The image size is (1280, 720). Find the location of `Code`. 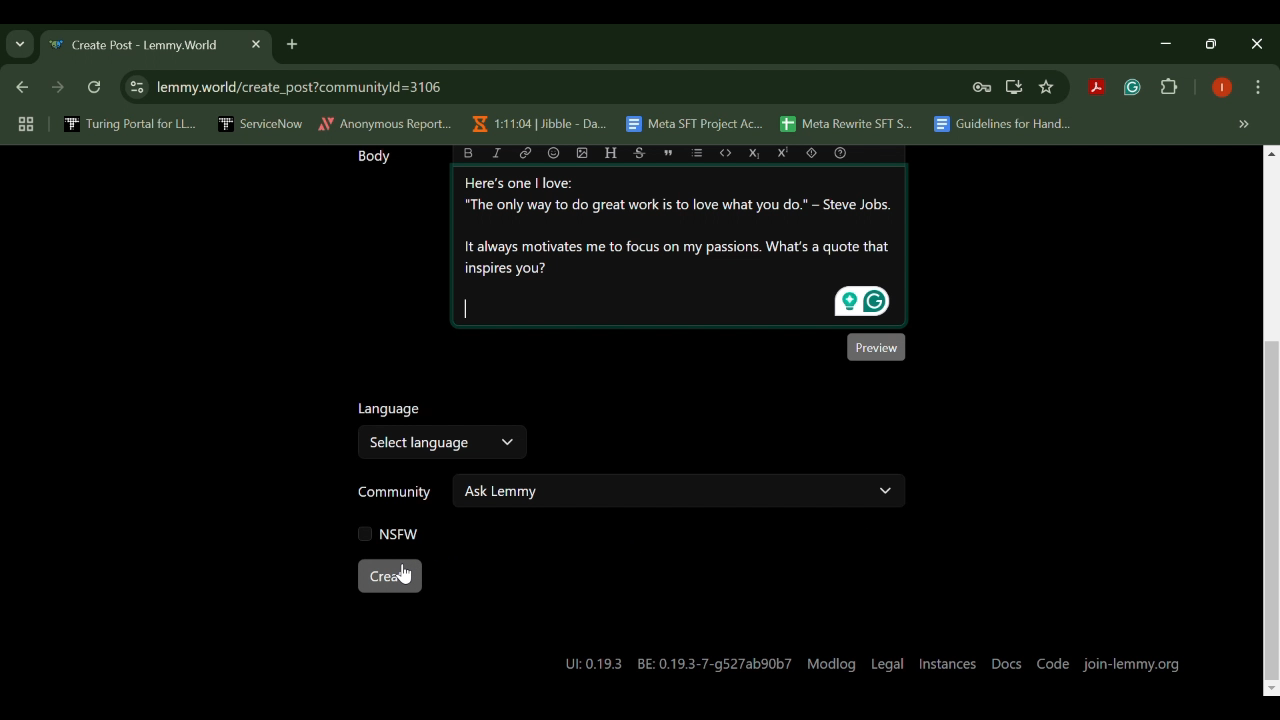

Code is located at coordinates (1054, 665).